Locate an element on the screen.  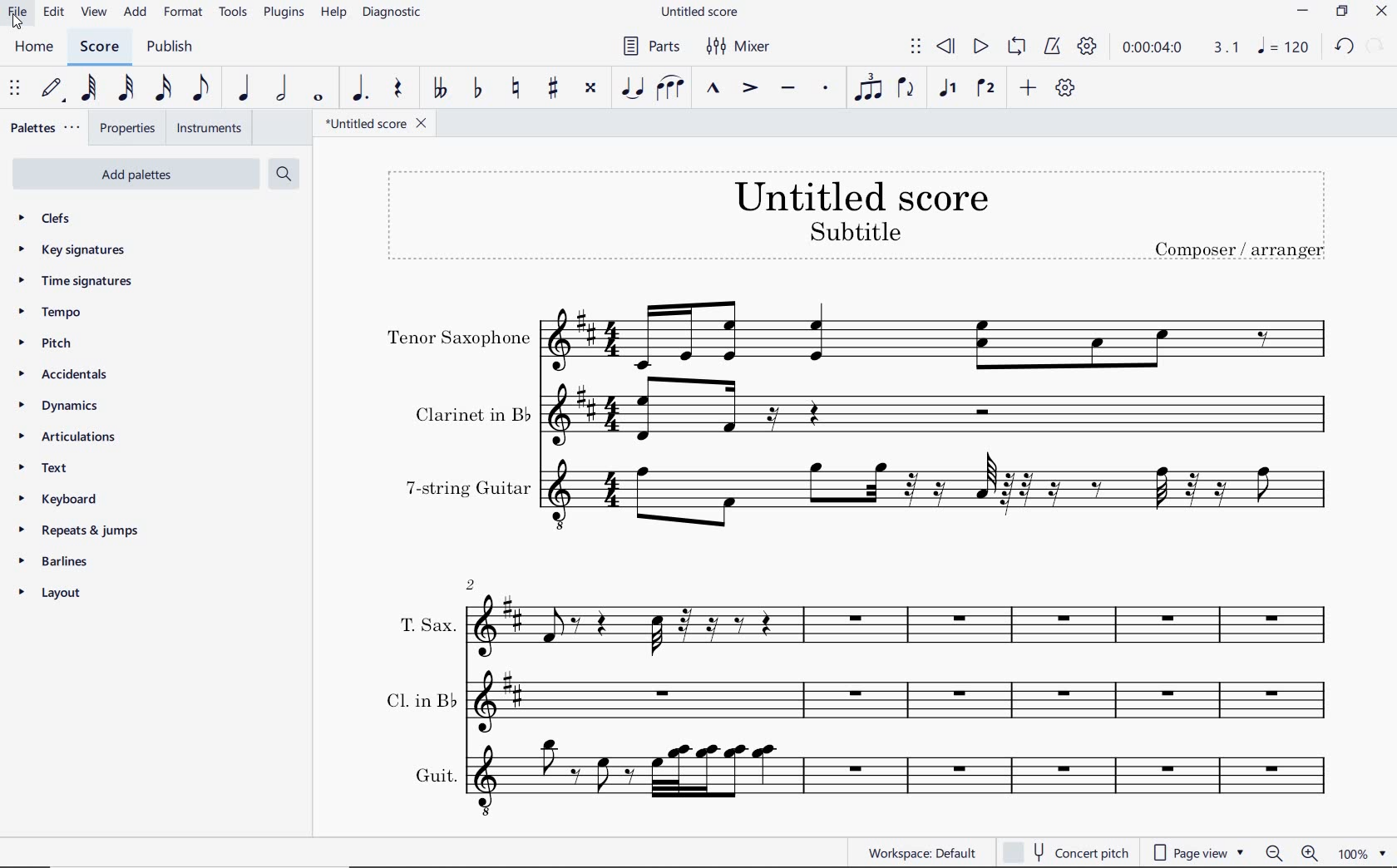
SLUR is located at coordinates (669, 86).